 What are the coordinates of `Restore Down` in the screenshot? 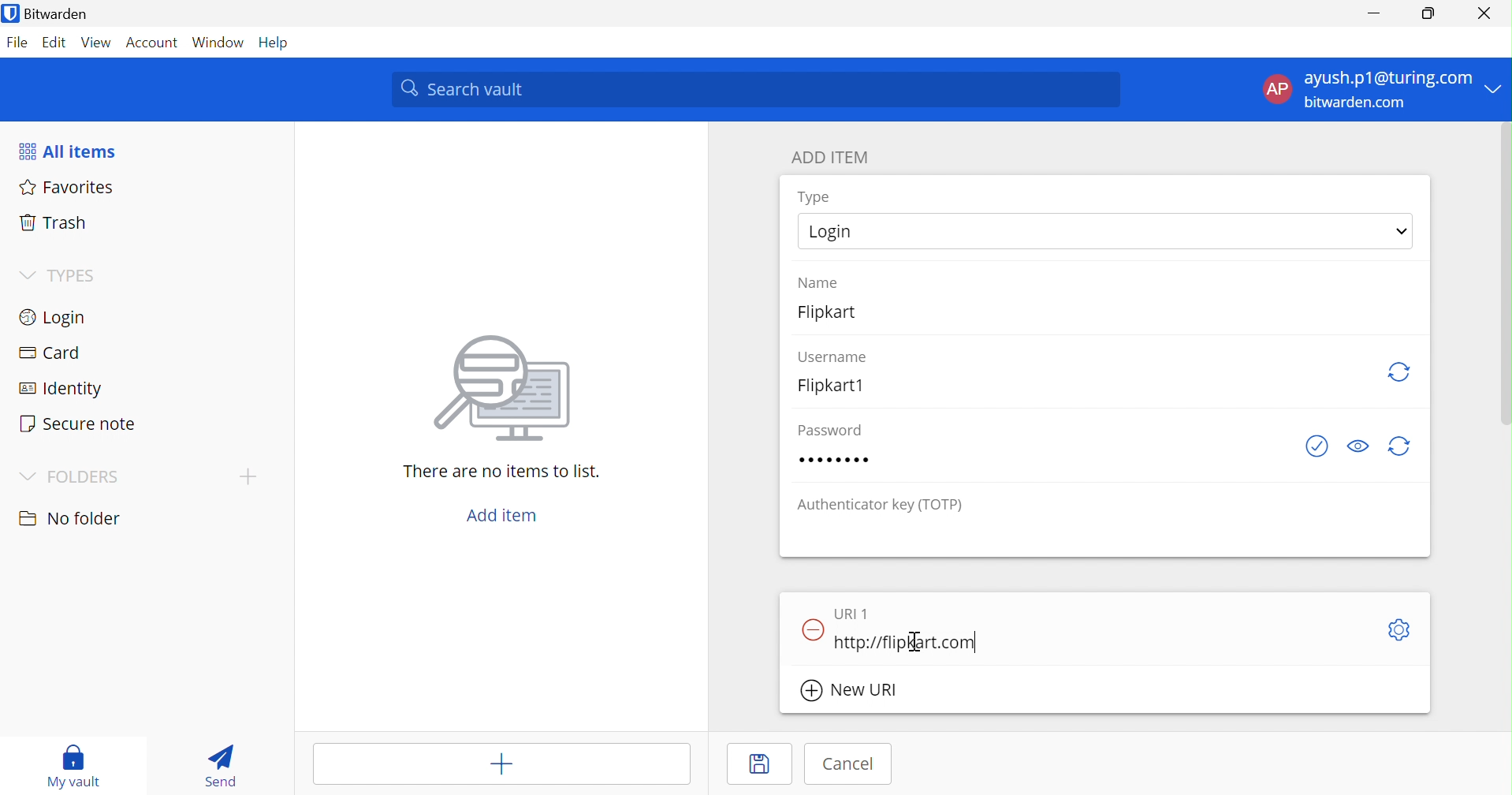 It's located at (1428, 13).